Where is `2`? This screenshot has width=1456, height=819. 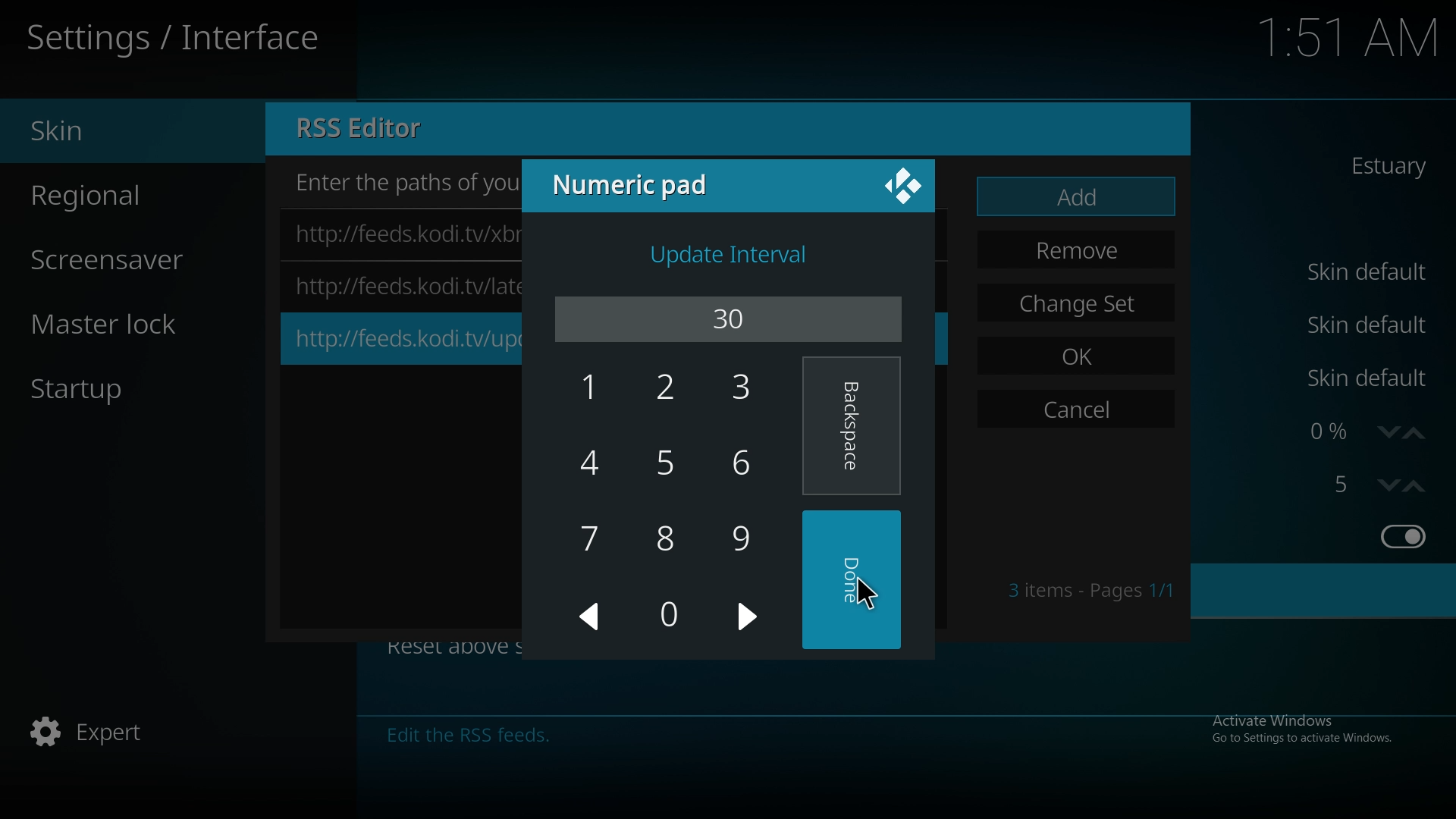
2 is located at coordinates (661, 388).